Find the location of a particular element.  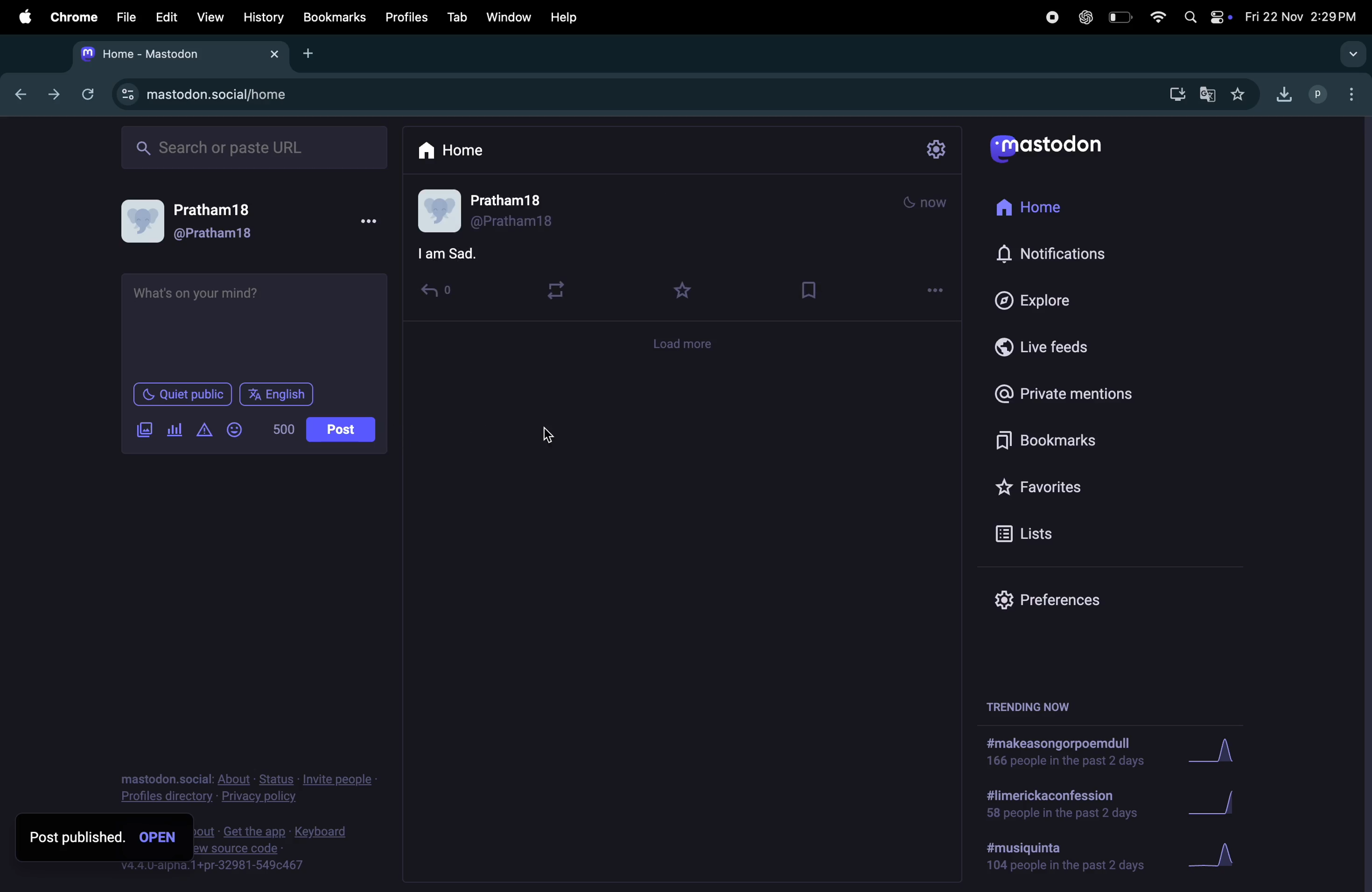

close tabs is located at coordinates (277, 55).